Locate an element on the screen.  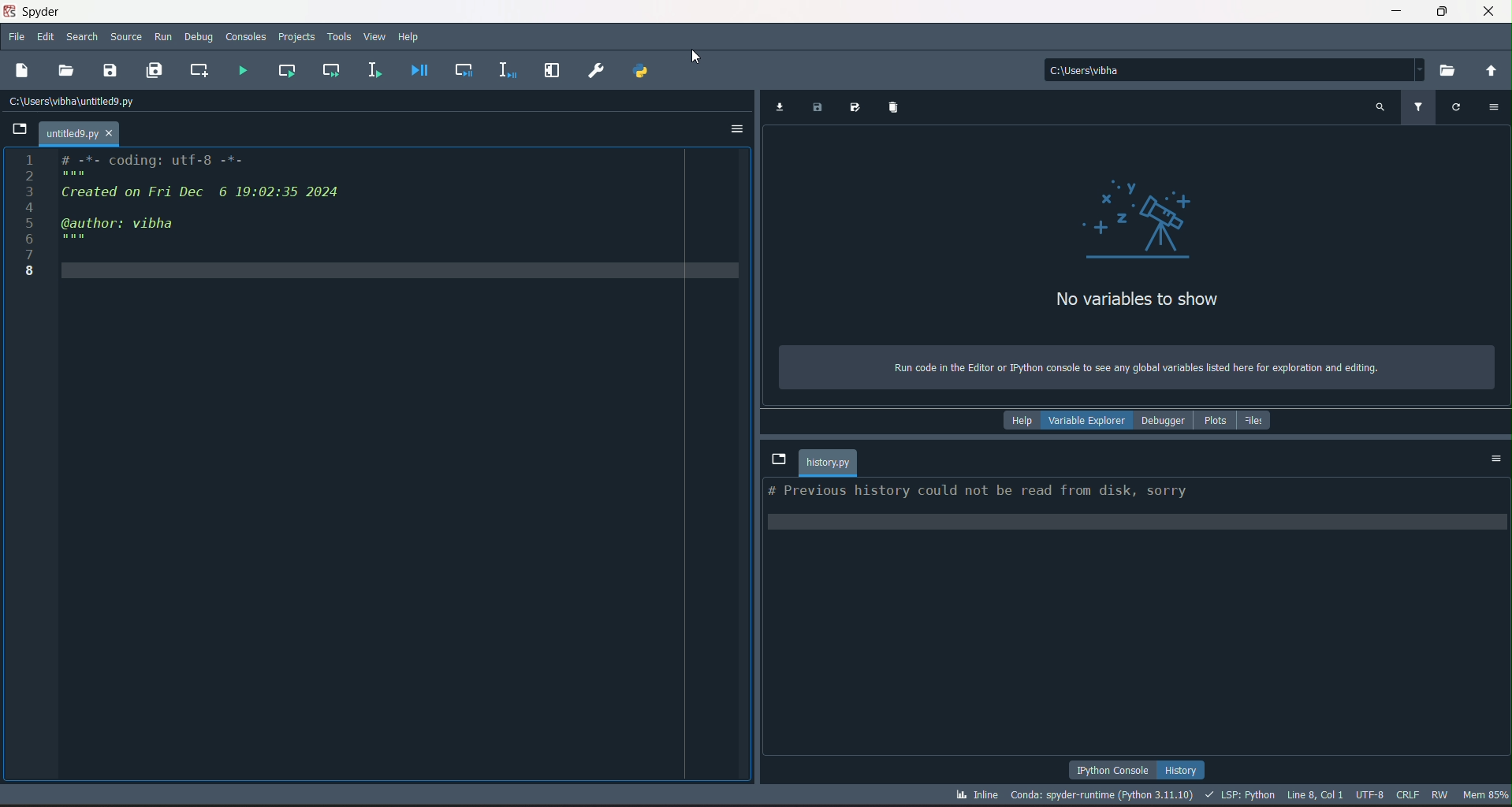
source is located at coordinates (127, 37).